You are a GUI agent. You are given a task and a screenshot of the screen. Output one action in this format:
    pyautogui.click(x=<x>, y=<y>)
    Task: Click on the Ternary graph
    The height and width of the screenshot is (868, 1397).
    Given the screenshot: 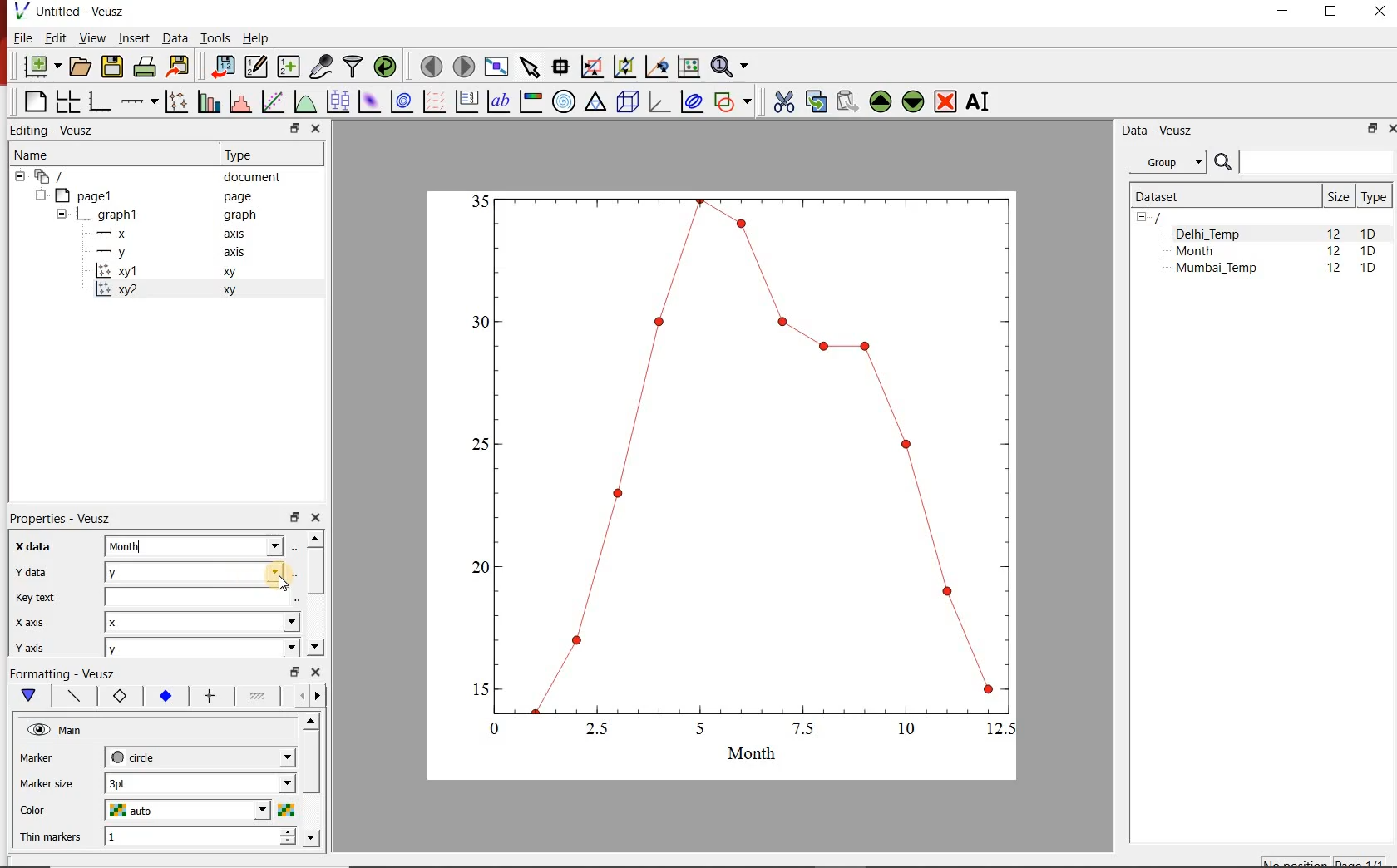 What is the action you would take?
    pyautogui.click(x=595, y=103)
    